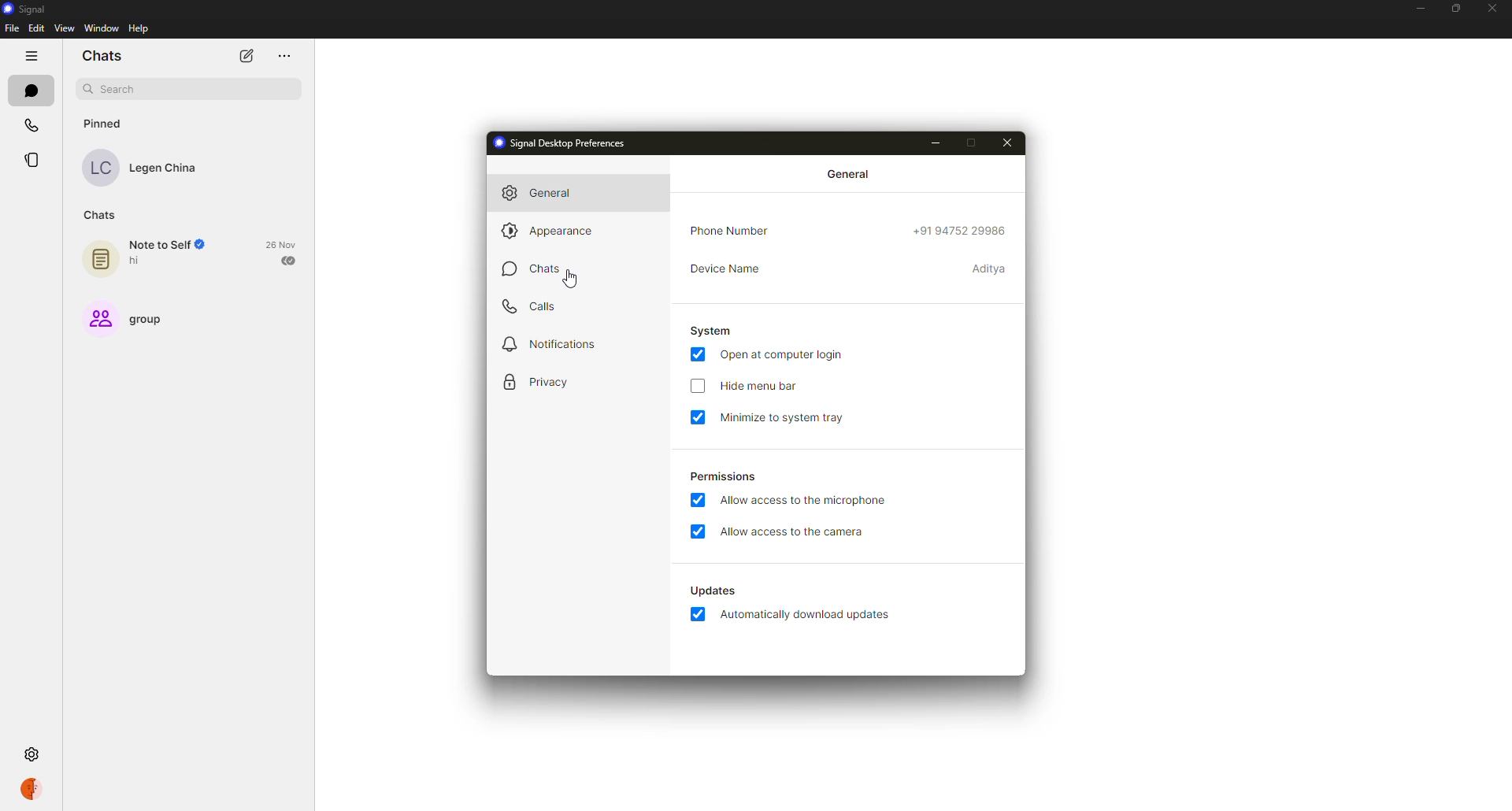 Image resolution: width=1512 pixels, height=811 pixels. Describe the element at coordinates (698, 500) in the screenshot. I see `enabled` at that location.